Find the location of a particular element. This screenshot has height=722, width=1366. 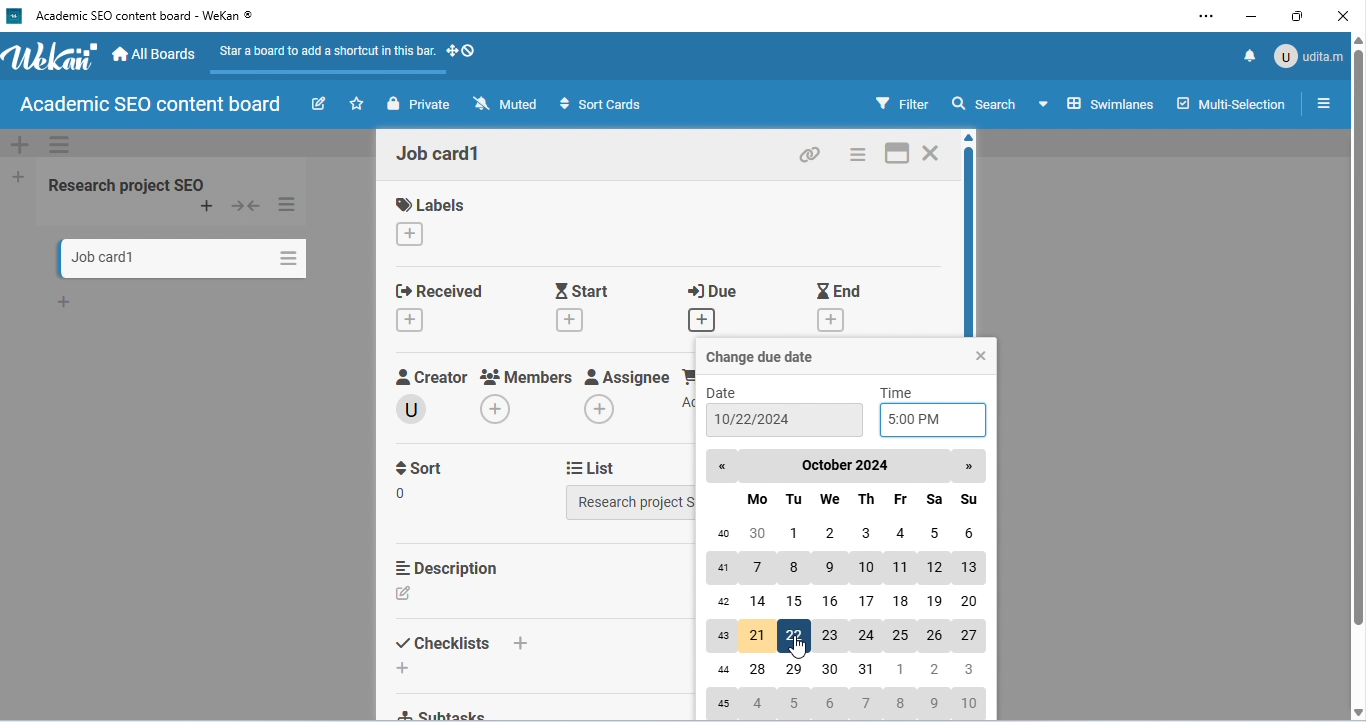

wekan logo is located at coordinates (14, 16).